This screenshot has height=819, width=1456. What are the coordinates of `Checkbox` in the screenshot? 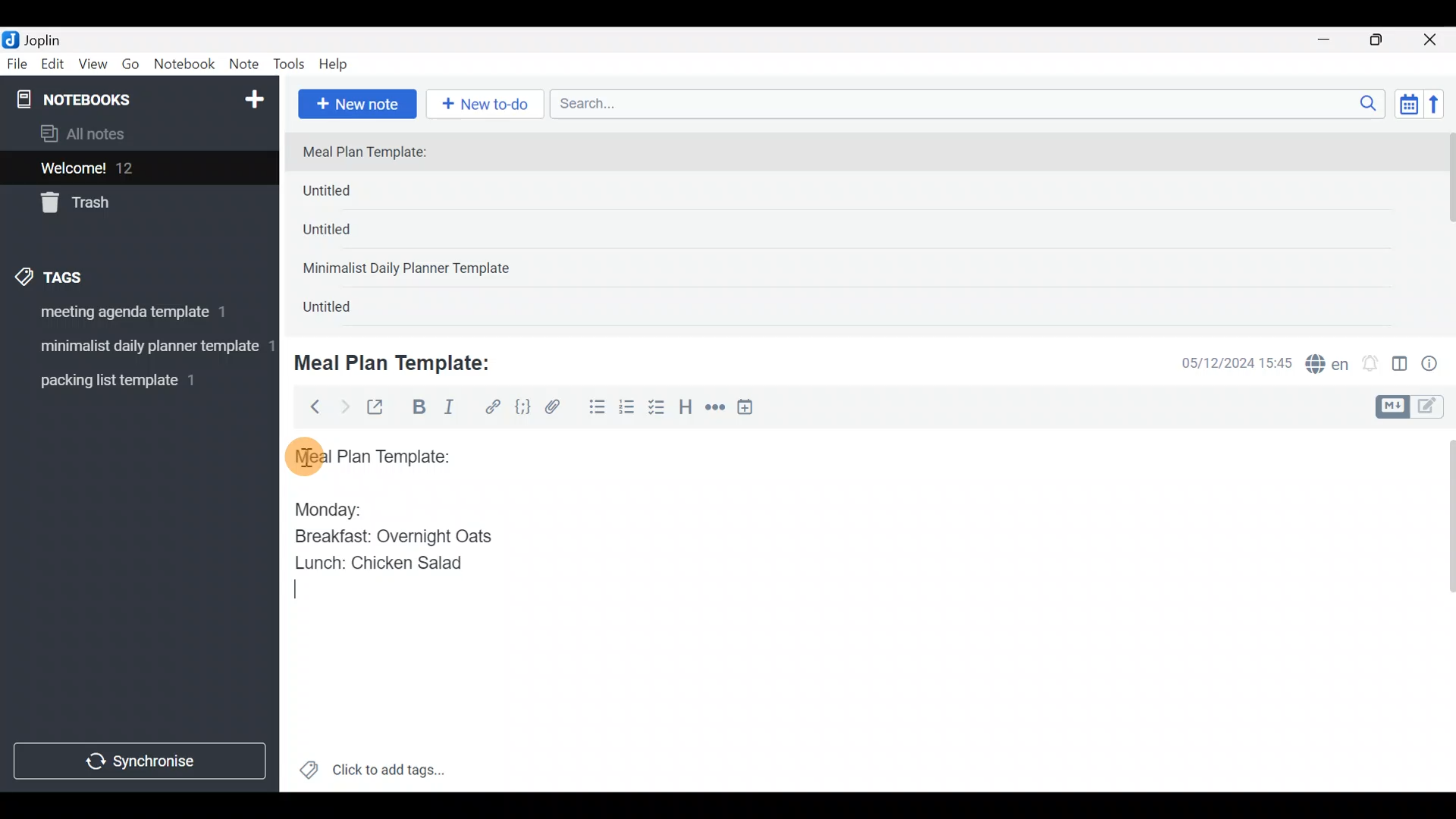 It's located at (658, 409).